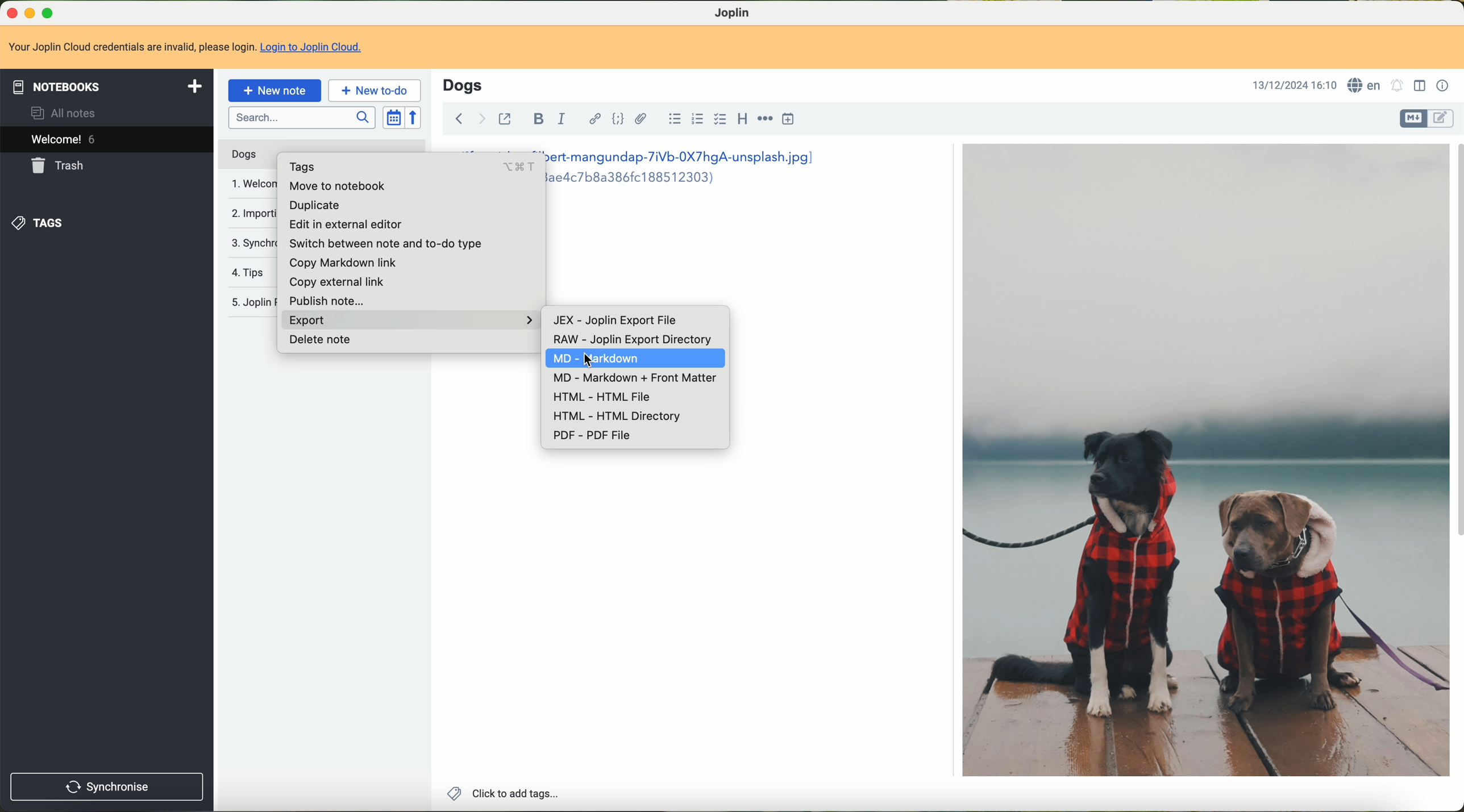  What do you see at coordinates (538, 120) in the screenshot?
I see `bold` at bounding box center [538, 120].